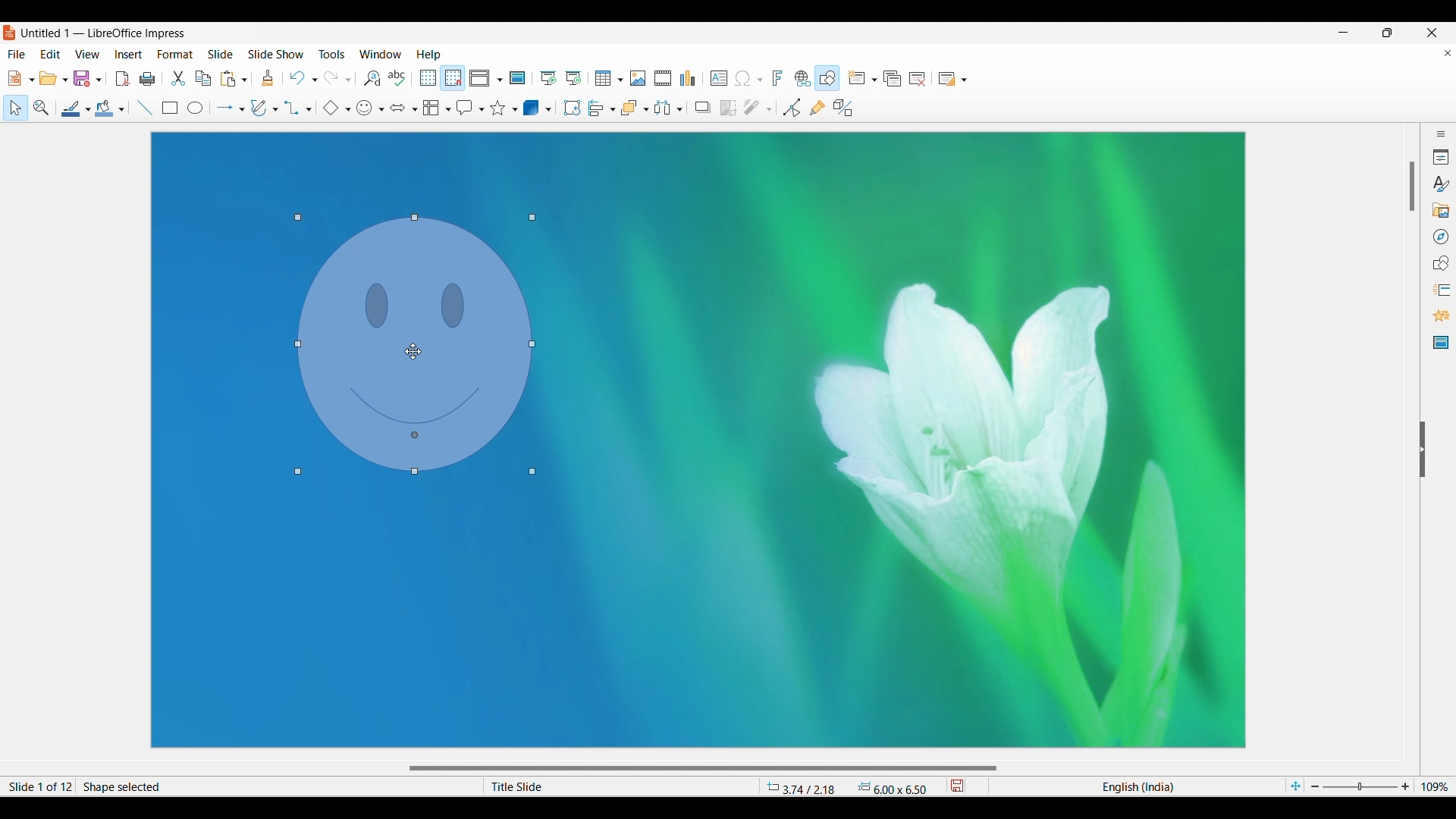 The height and width of the screenshot is (819, 1456). What do you see at coordinates (1413, 187) in the screenshot?
I see `Vertical slide bar` at bounding box center [1413, 187].